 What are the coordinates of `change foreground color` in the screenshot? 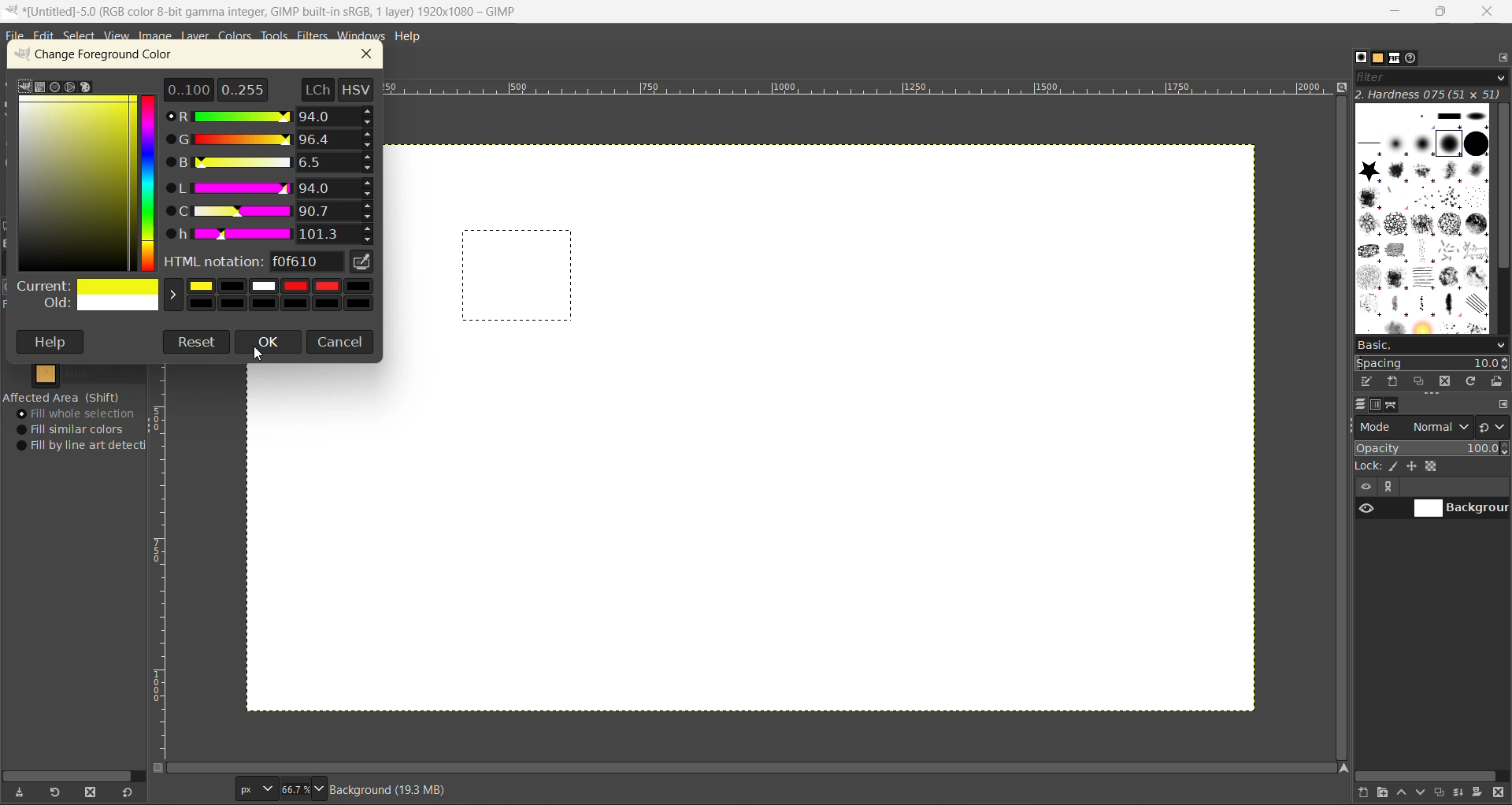 It's located at (109, 57).